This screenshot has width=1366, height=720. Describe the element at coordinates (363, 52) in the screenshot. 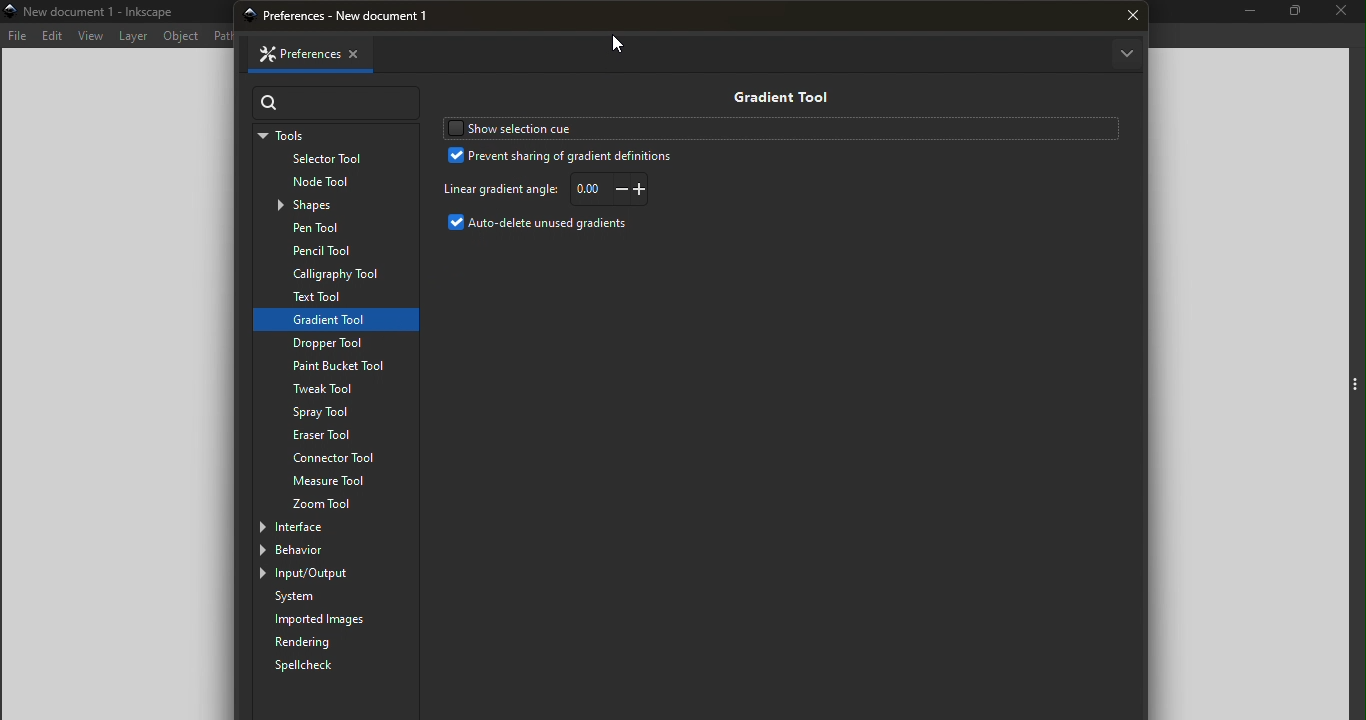

I see `Close` at that location.